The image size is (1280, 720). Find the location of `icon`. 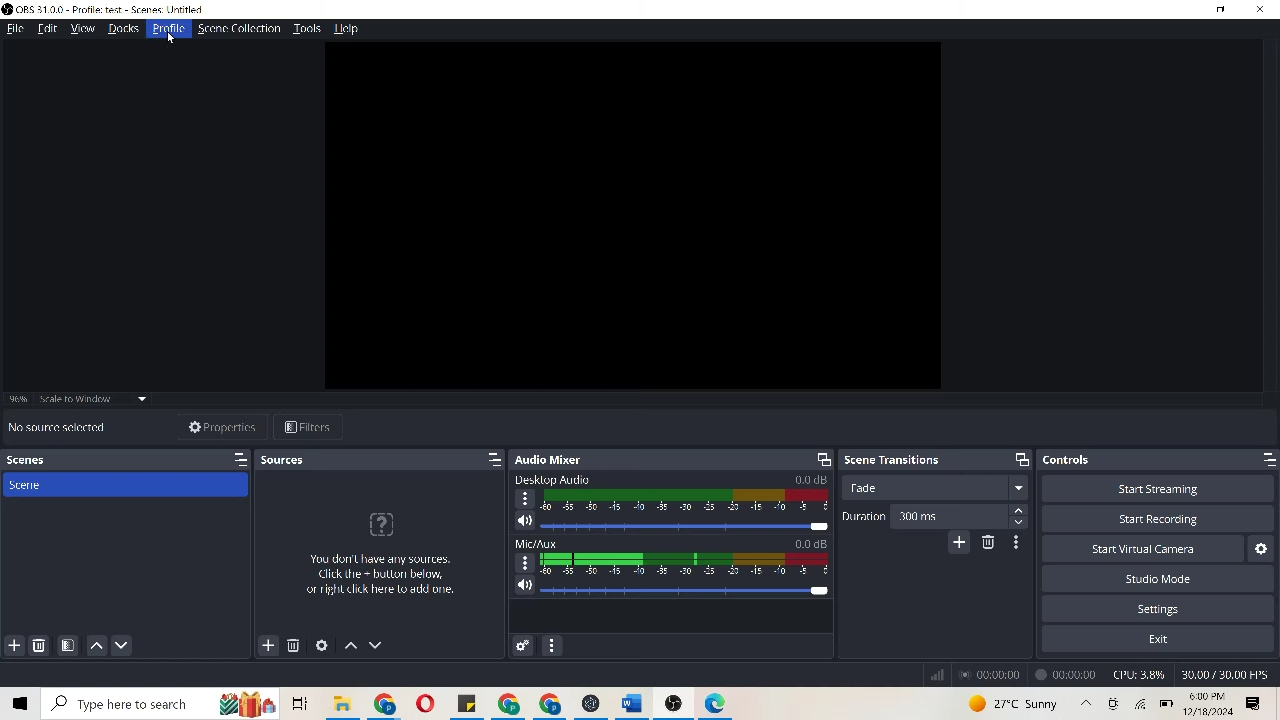

icon is located at coordinates (1114, 702).